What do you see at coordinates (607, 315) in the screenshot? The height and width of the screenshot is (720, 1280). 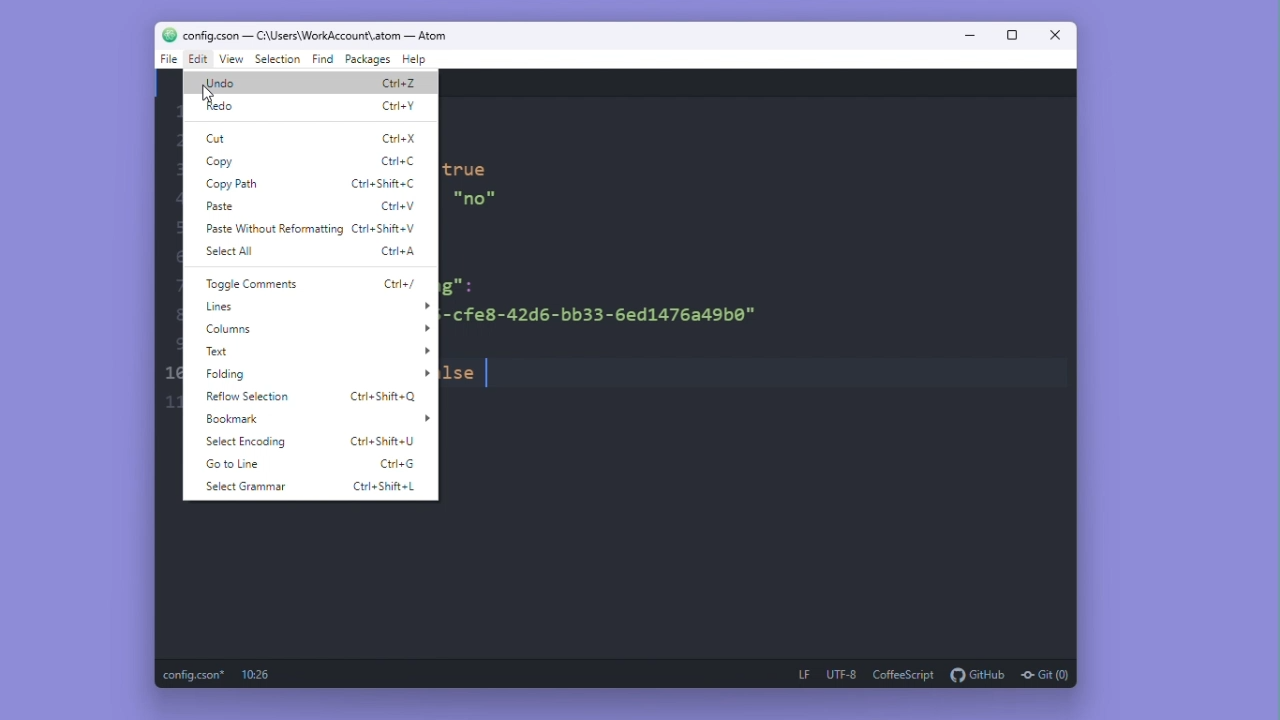 I see `-cfe8-42d6-bb33-6ed1476a49b0"` at bounding box center [607, 315].